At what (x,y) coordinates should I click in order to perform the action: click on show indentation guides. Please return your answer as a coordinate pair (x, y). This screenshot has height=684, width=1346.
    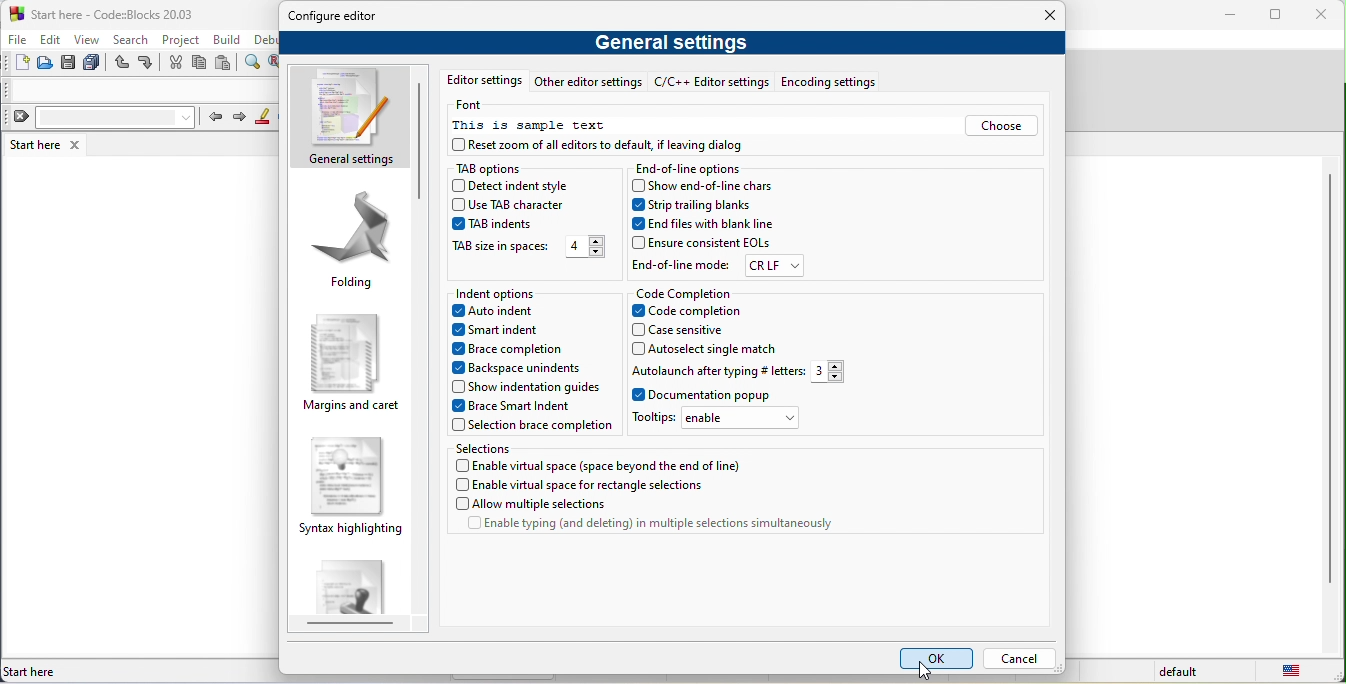
    Looking at the image, I should click on (525, 386).